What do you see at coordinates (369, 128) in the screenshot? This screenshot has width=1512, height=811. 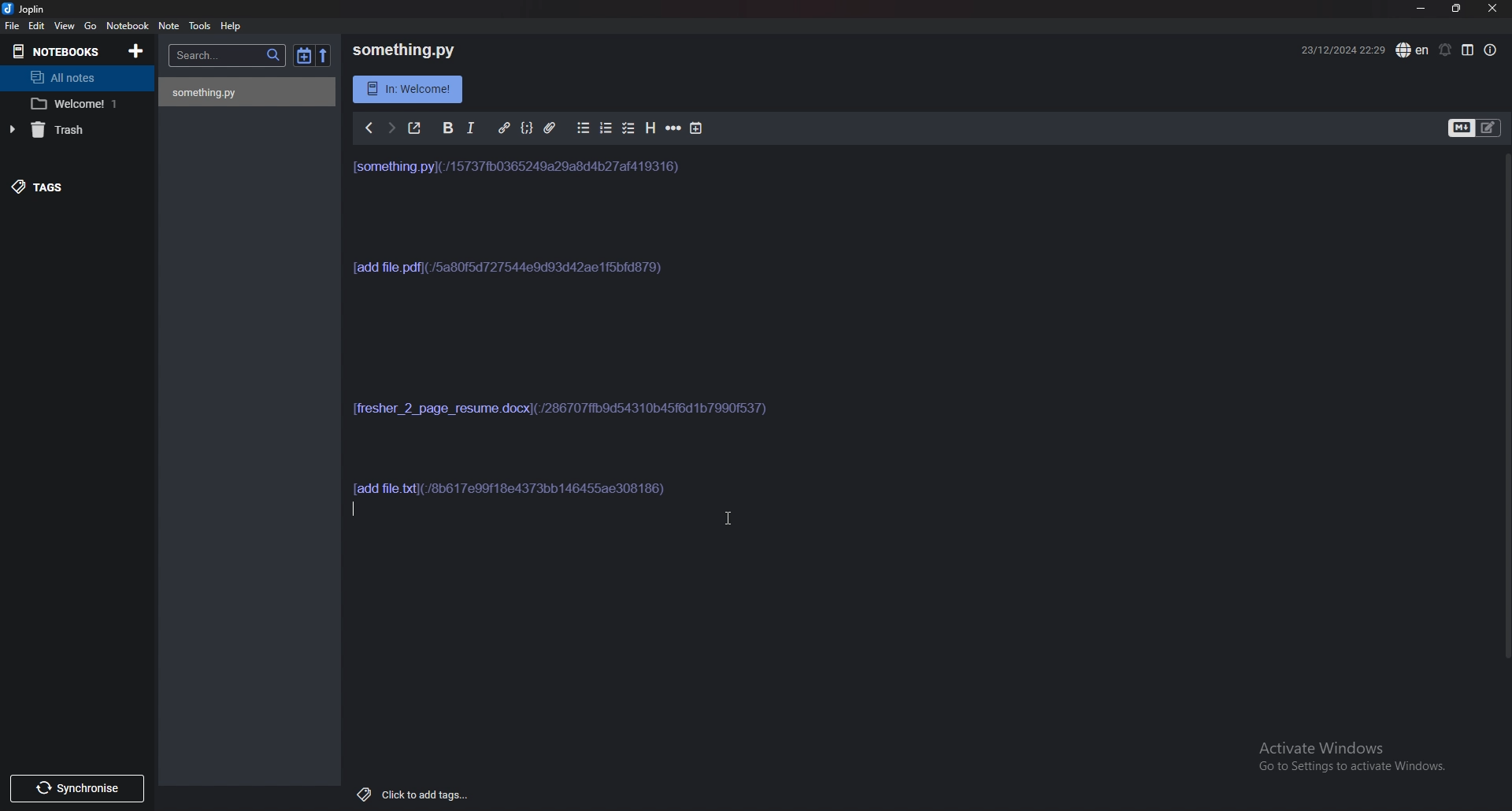 I see `Previous` at bounding box center [369, 128].